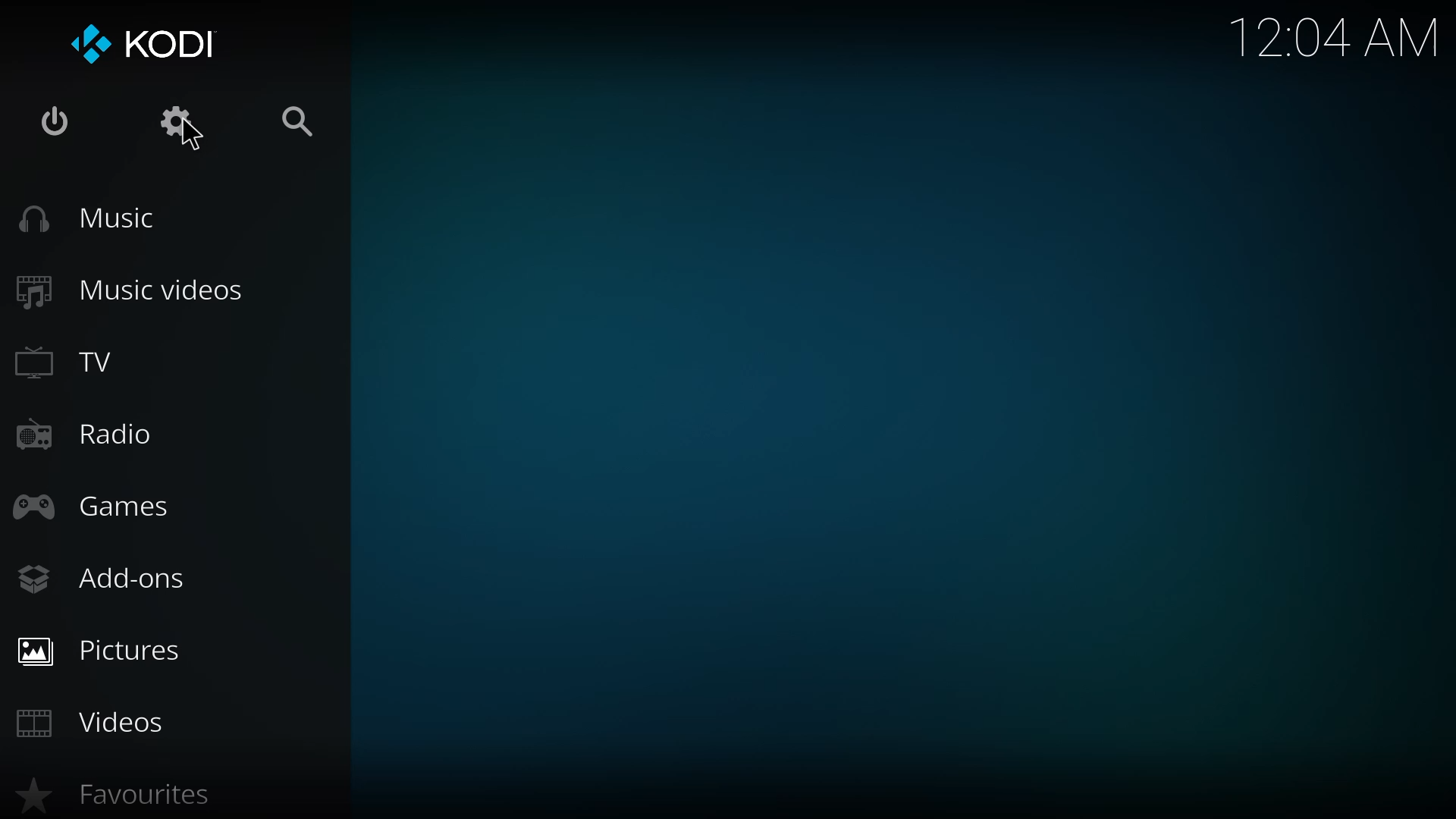 The height and width of the screenshot is (819, 1456). I want to click on videos, so click(93, 723).